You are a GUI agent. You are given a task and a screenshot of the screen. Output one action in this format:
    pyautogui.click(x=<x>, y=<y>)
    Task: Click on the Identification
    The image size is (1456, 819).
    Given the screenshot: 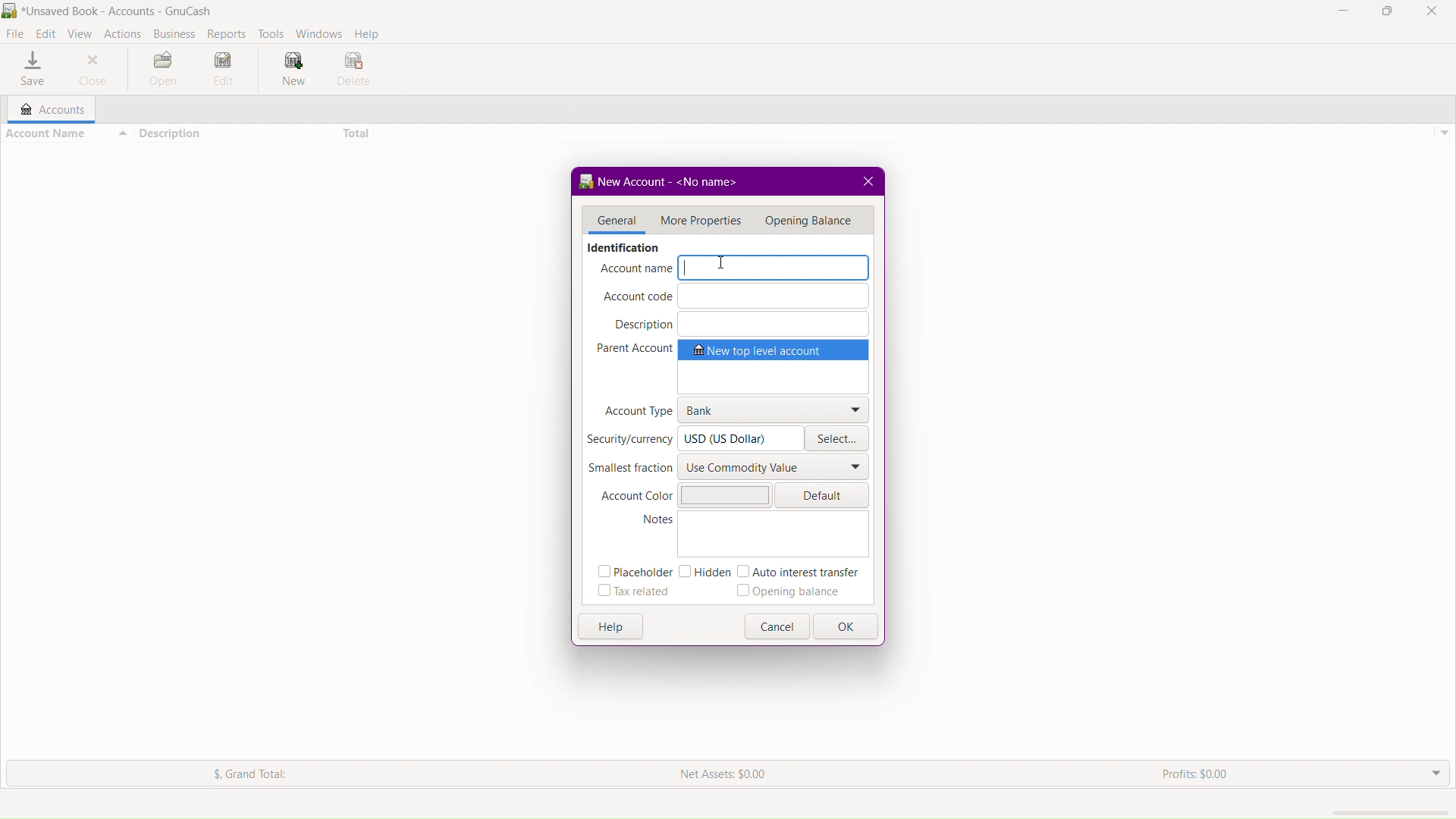 What is the action you would take?
    pyautogui.click(x=622, y=247)
    